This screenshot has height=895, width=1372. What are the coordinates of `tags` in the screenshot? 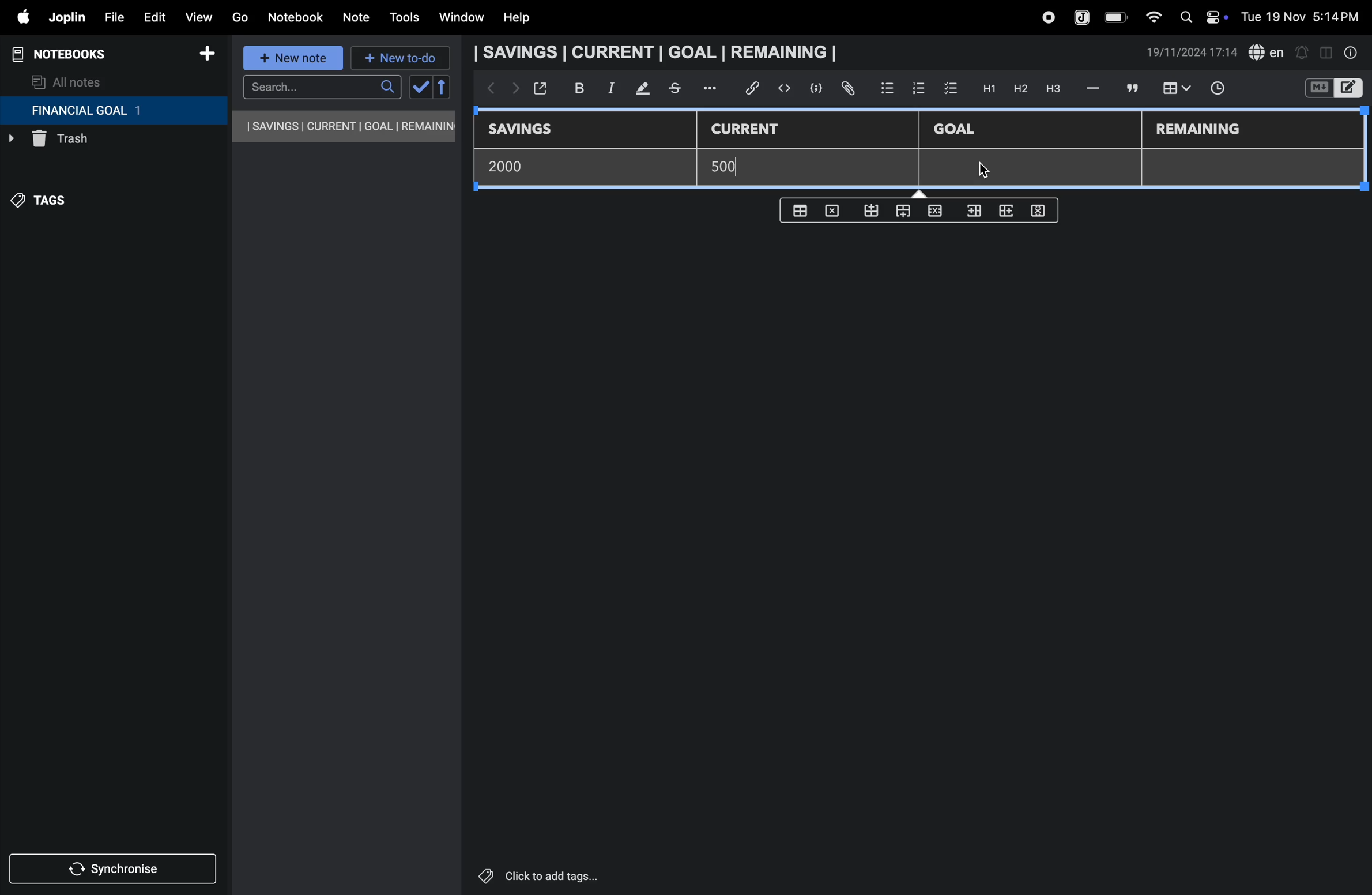 It's located at (47, 206).